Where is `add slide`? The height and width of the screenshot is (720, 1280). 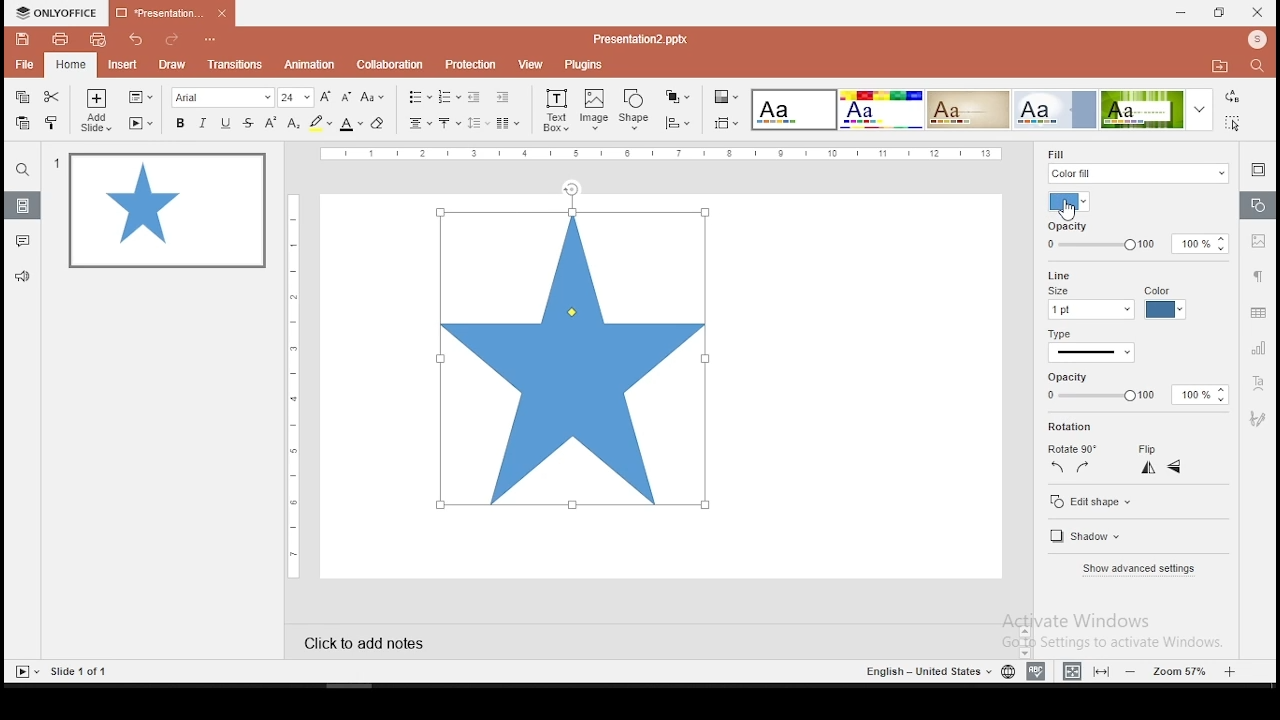 add slide is located at coordinates (96, 110).